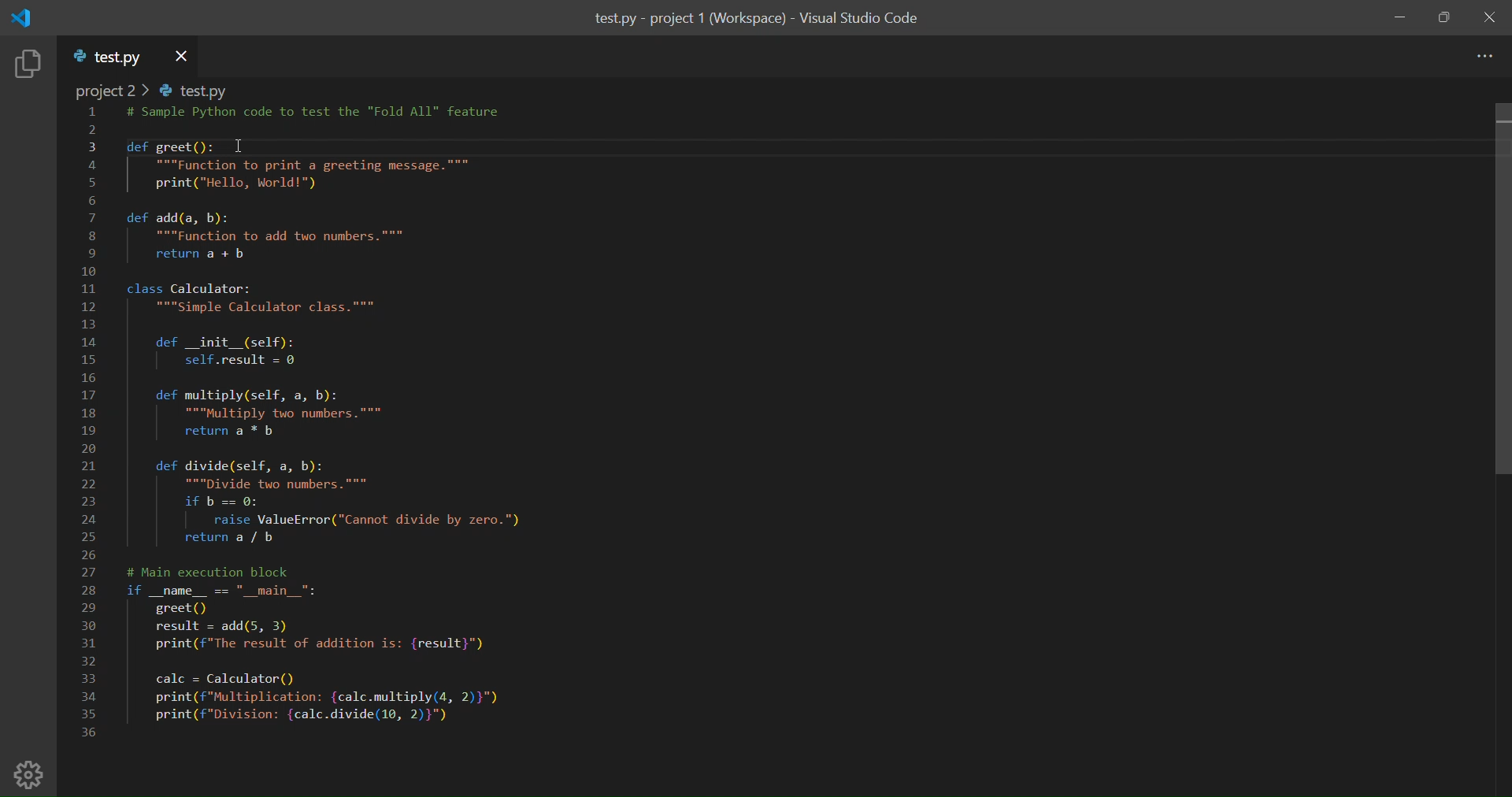 The height and width of the screenshot is (797, 1512). Describe the element at coordinates (27, 18) in the screenshot. I see `logo` at that location.